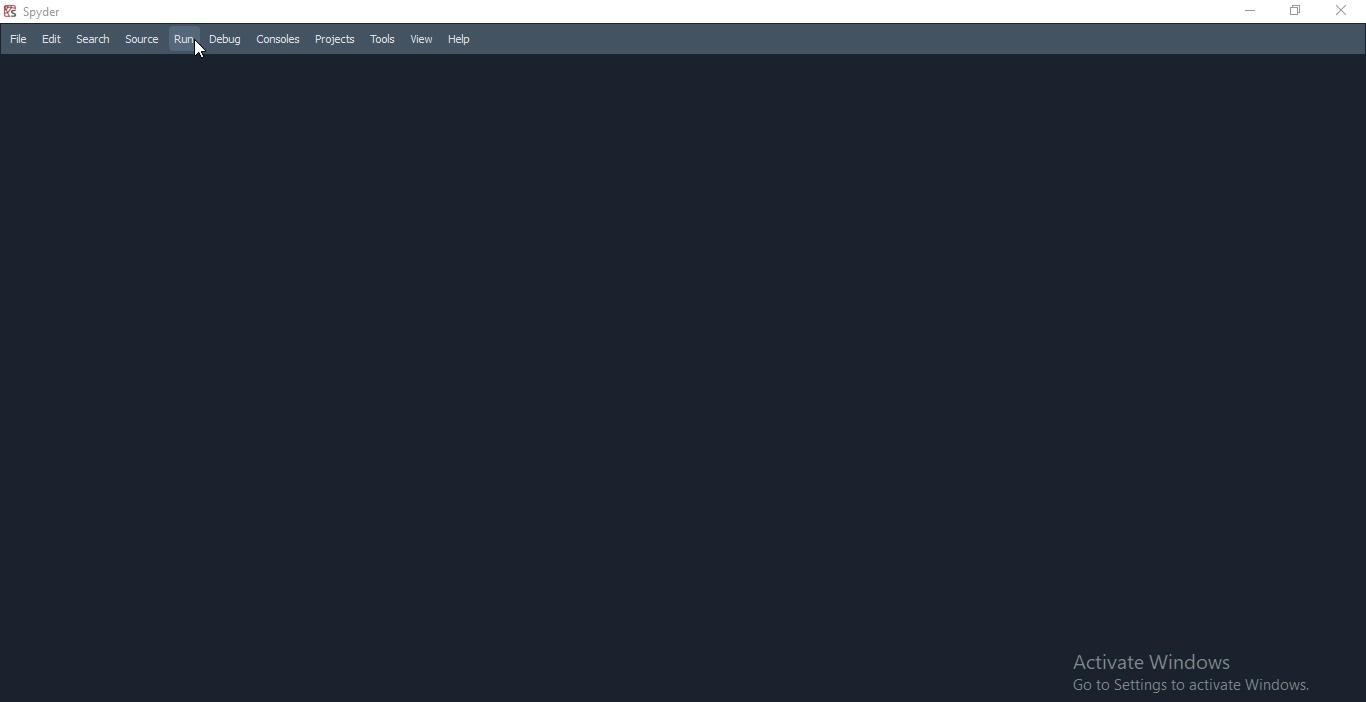  Describe the element at coordinates (381, 39) in the screenshot. I see `Tools` at that location.